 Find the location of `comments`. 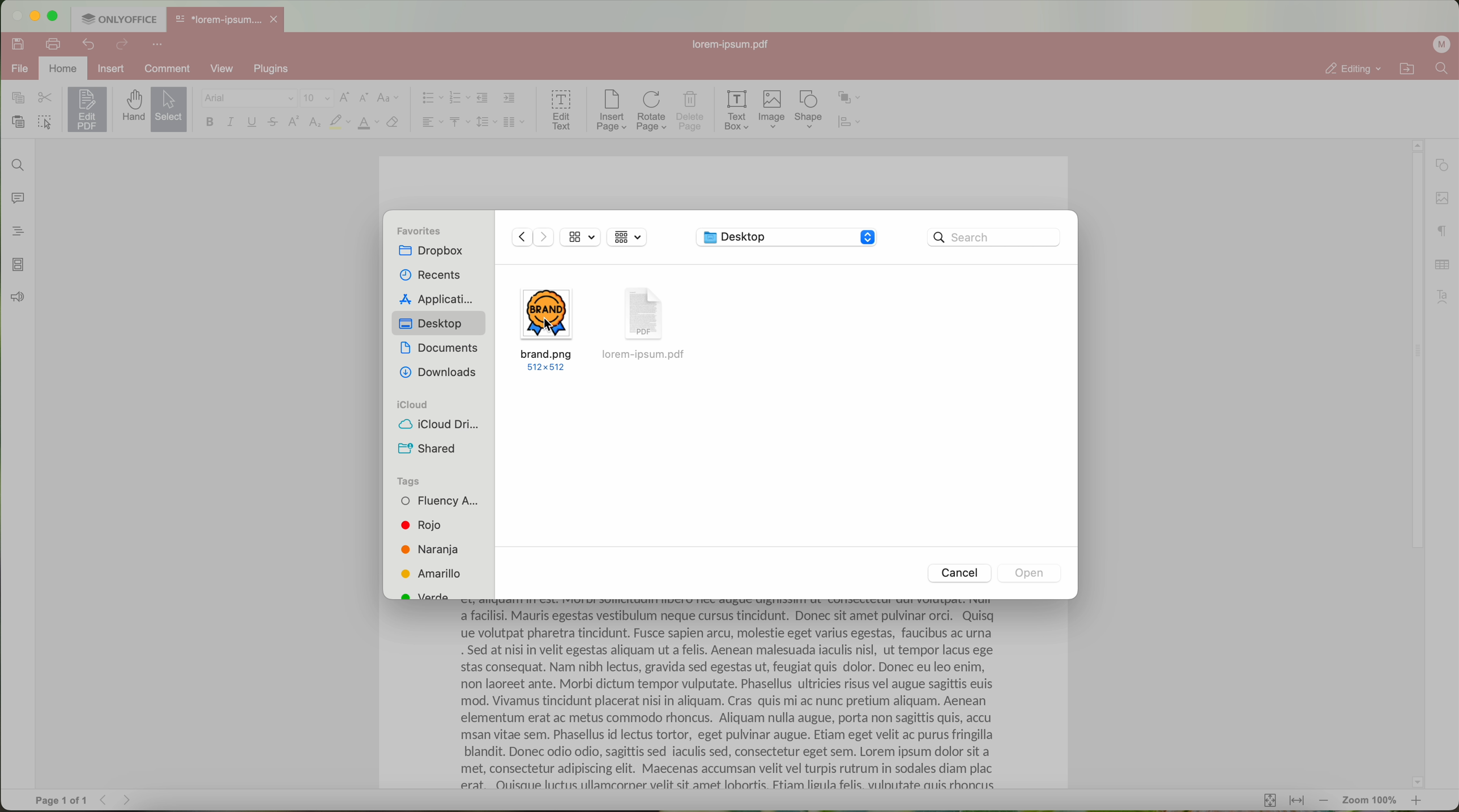

comments is located at coordinates (15, 196).